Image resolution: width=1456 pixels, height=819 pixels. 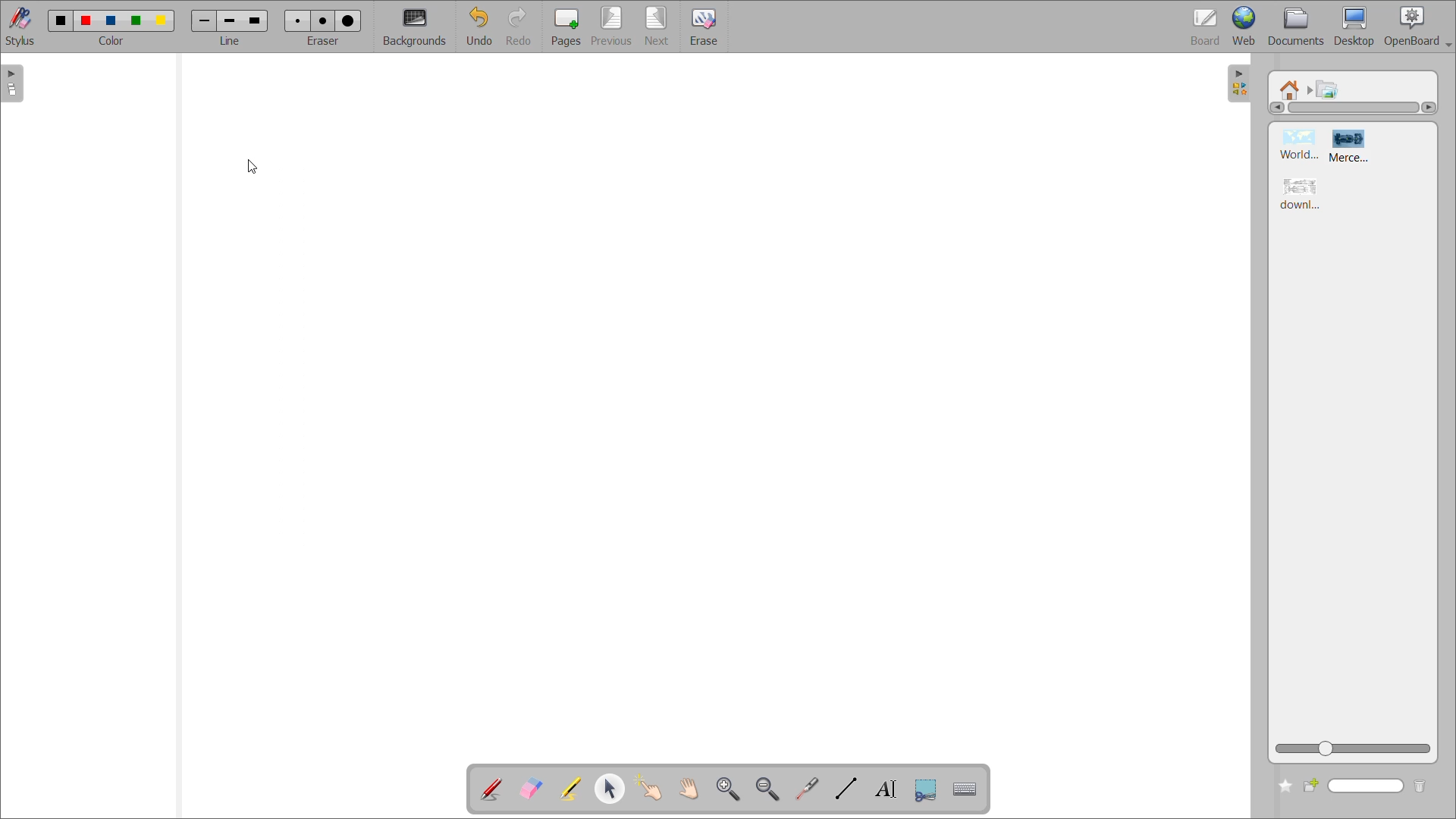 I want to click on pictures, so click(x=1330, y=89).